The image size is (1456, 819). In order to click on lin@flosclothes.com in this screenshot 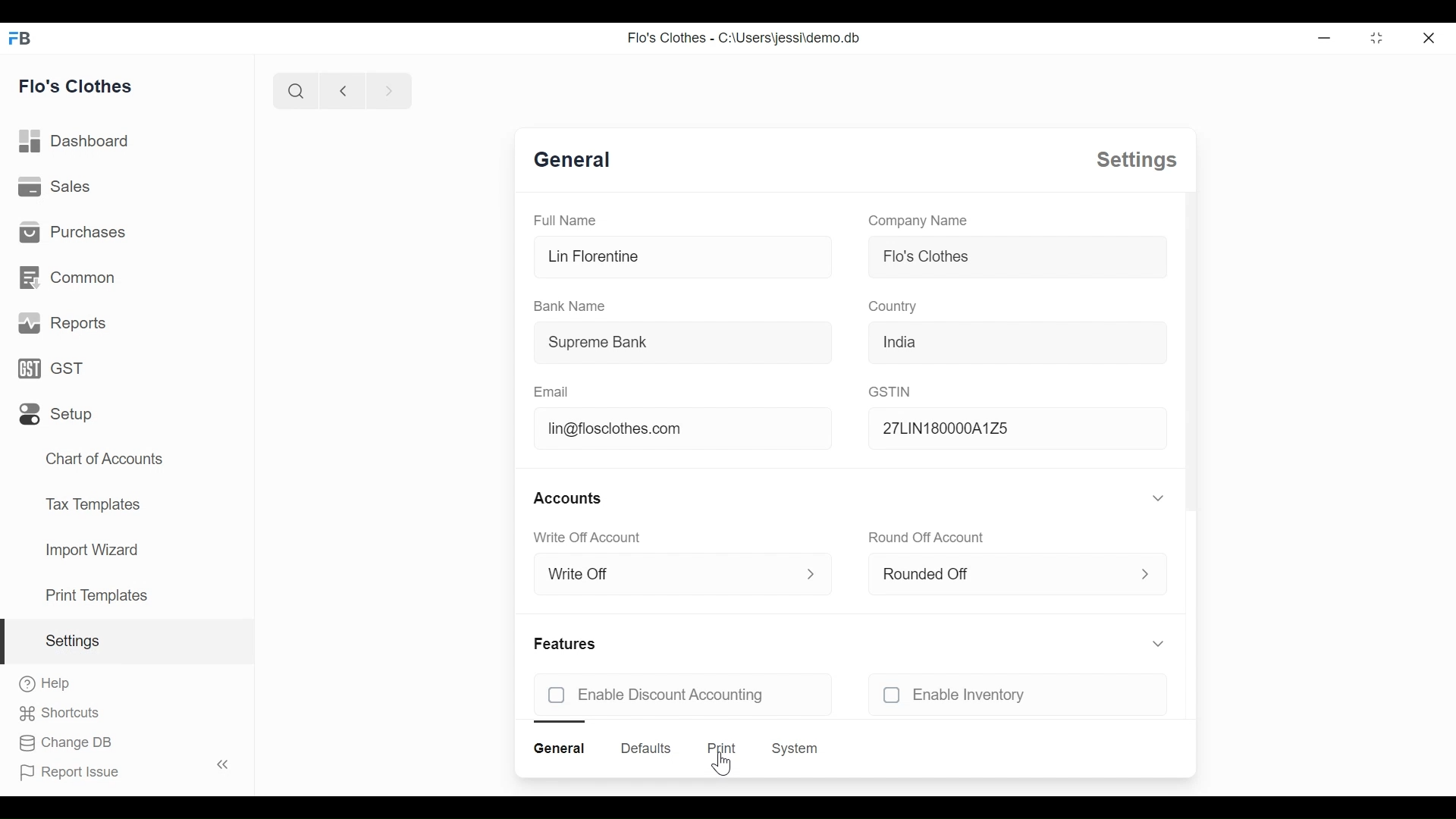, I will do `click(686, 427)`.